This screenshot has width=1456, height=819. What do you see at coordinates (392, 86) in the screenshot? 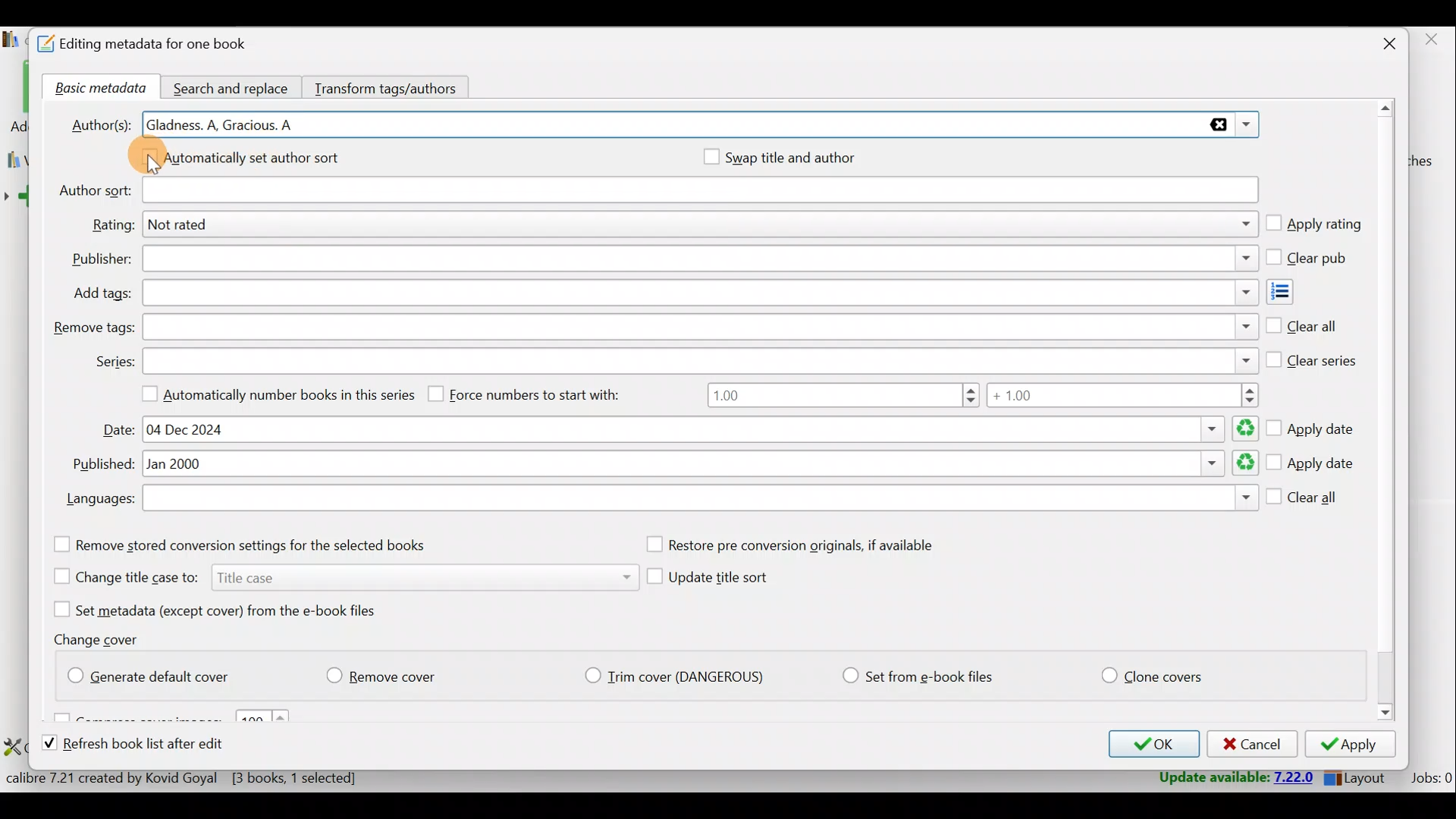
I see `Transform tags/authors` at bounding box center [392, 86].